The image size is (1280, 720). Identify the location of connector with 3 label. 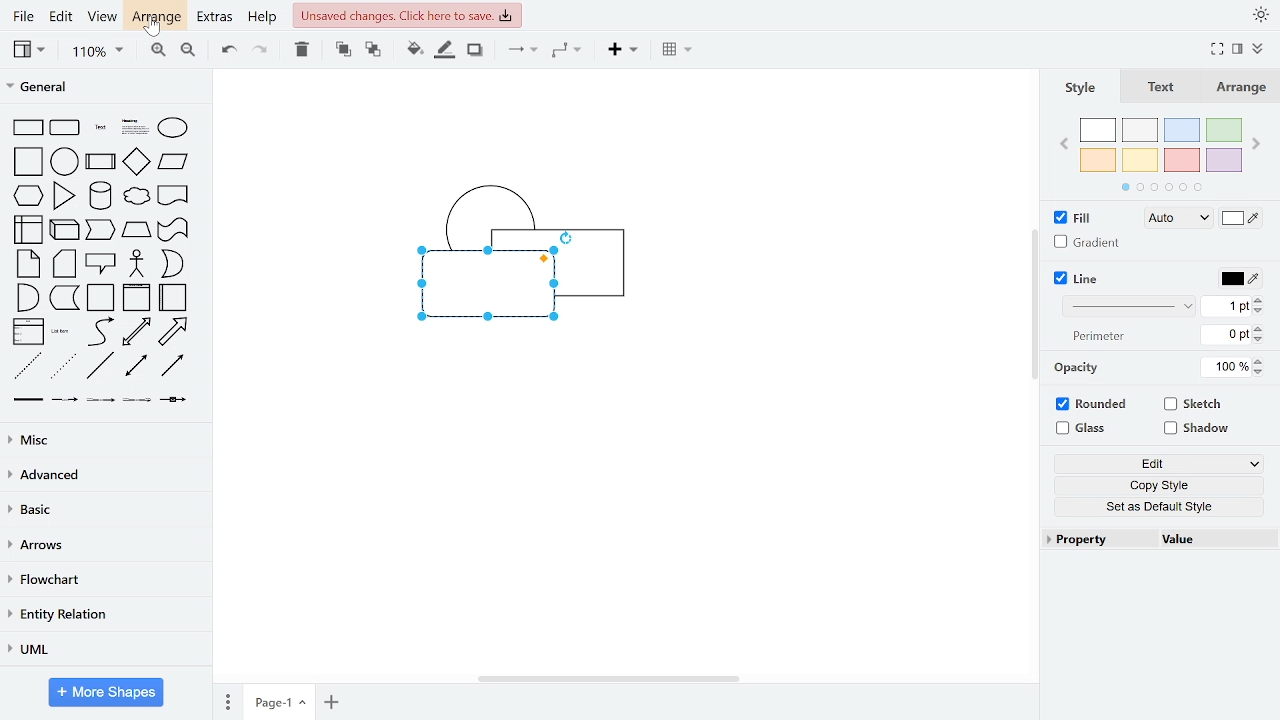
(139, 401).